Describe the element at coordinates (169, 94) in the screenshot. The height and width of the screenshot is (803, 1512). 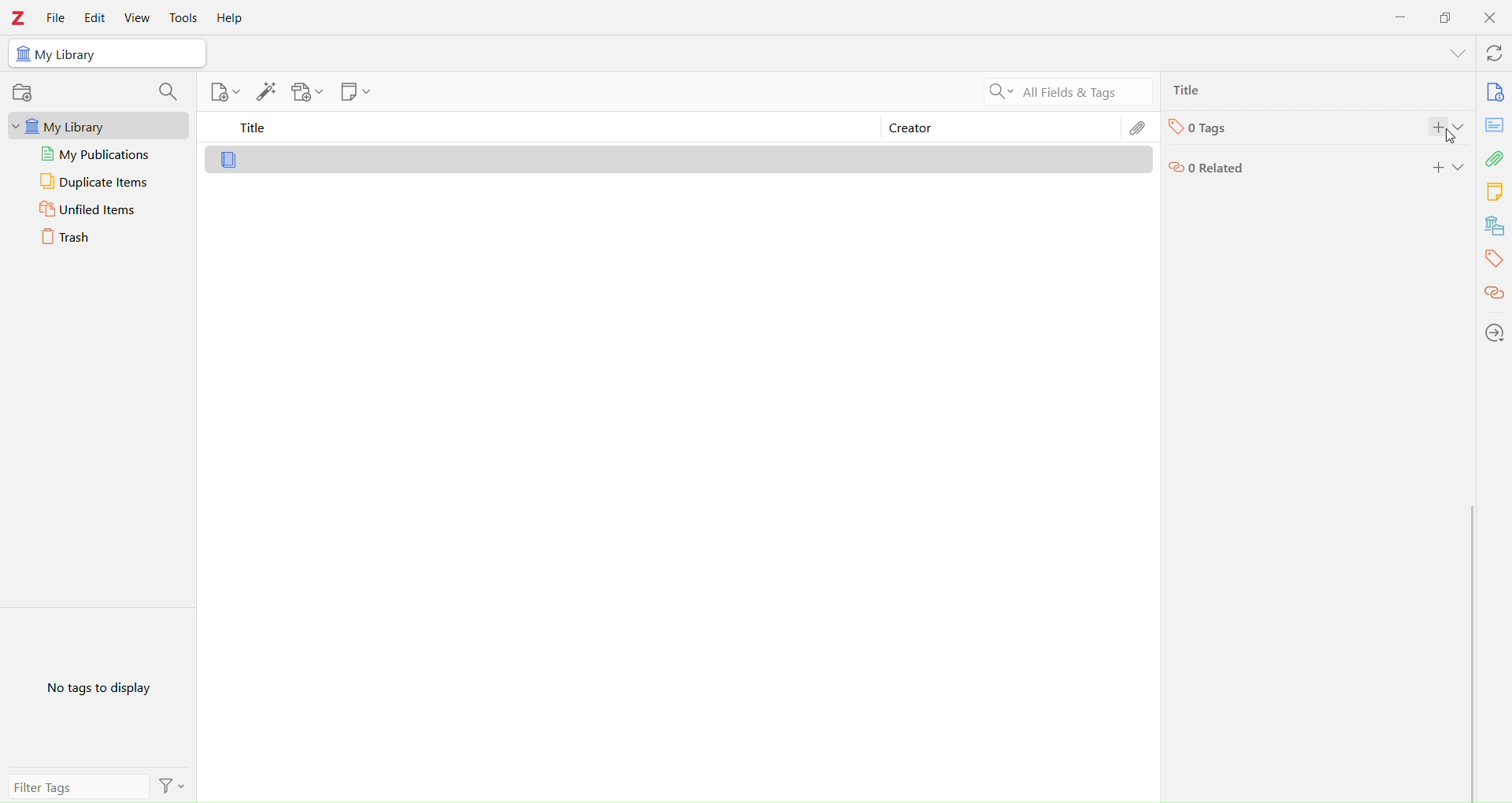
I see `search` at that location.